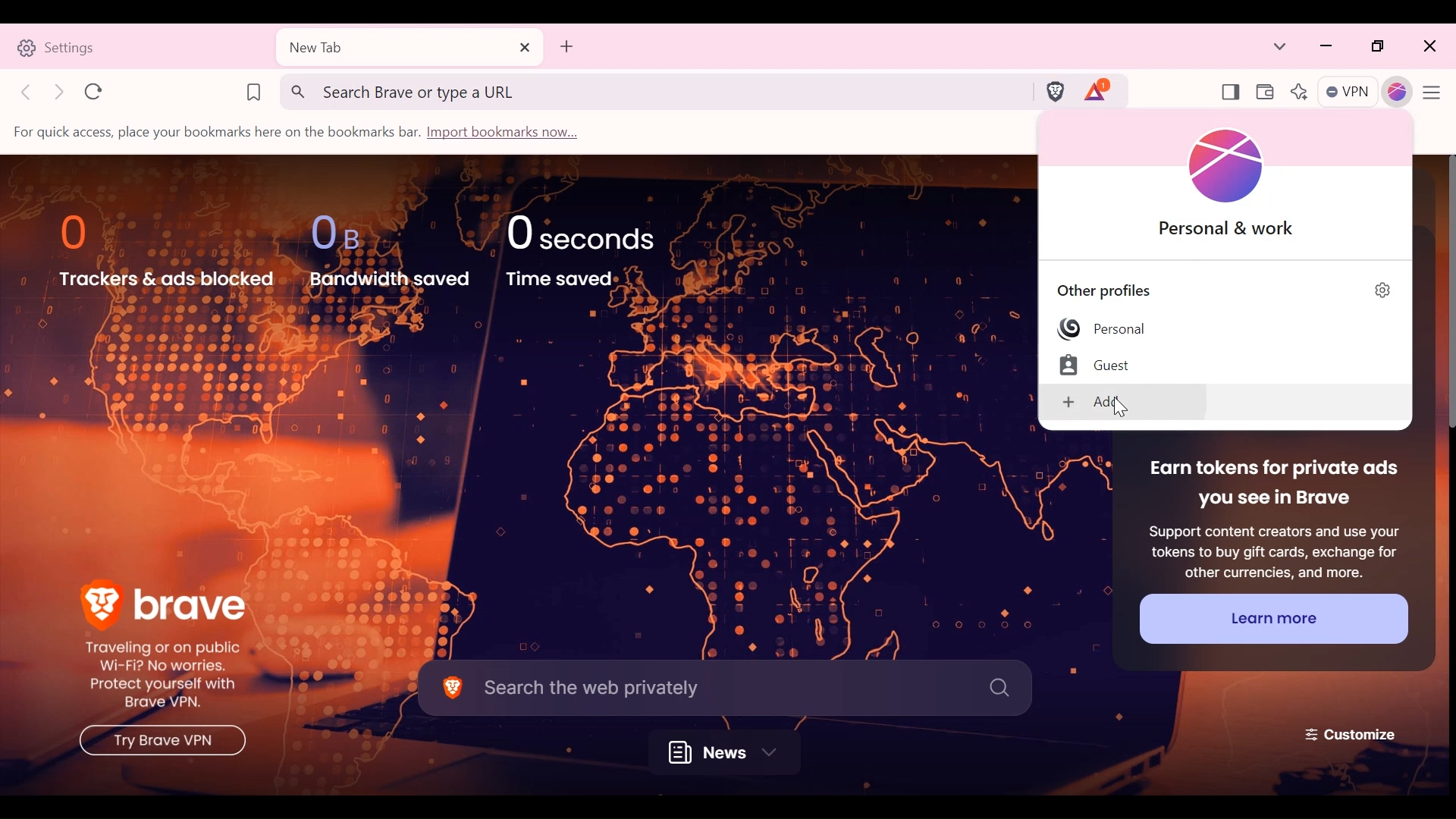 This screenshot has height=819, width=1456. Describe the element at coordinates (1121, 406) in the screenshot. I see `` at that location.